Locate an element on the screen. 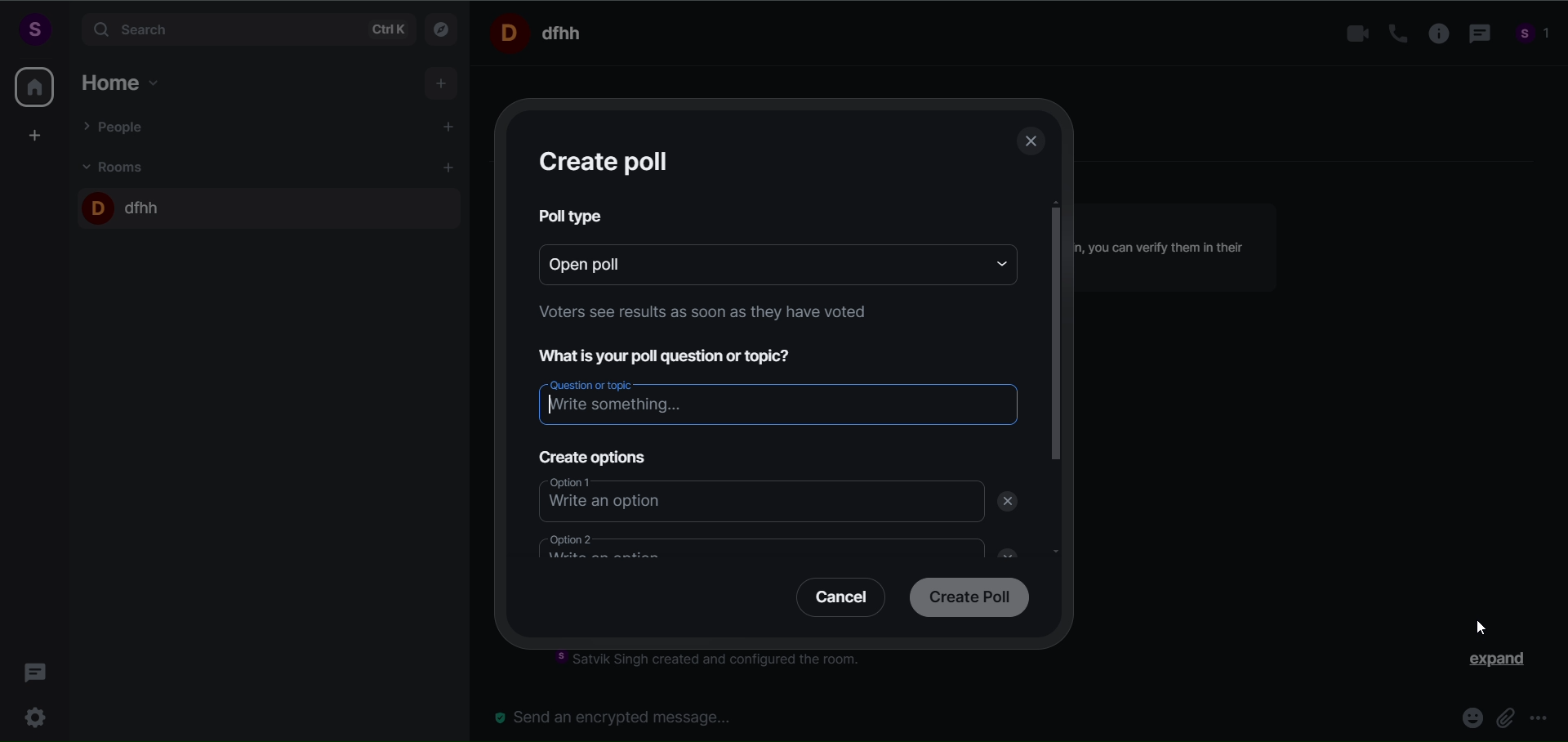 This screenshot has width=1568, height=742. add room is located at coordinates (451, 168).